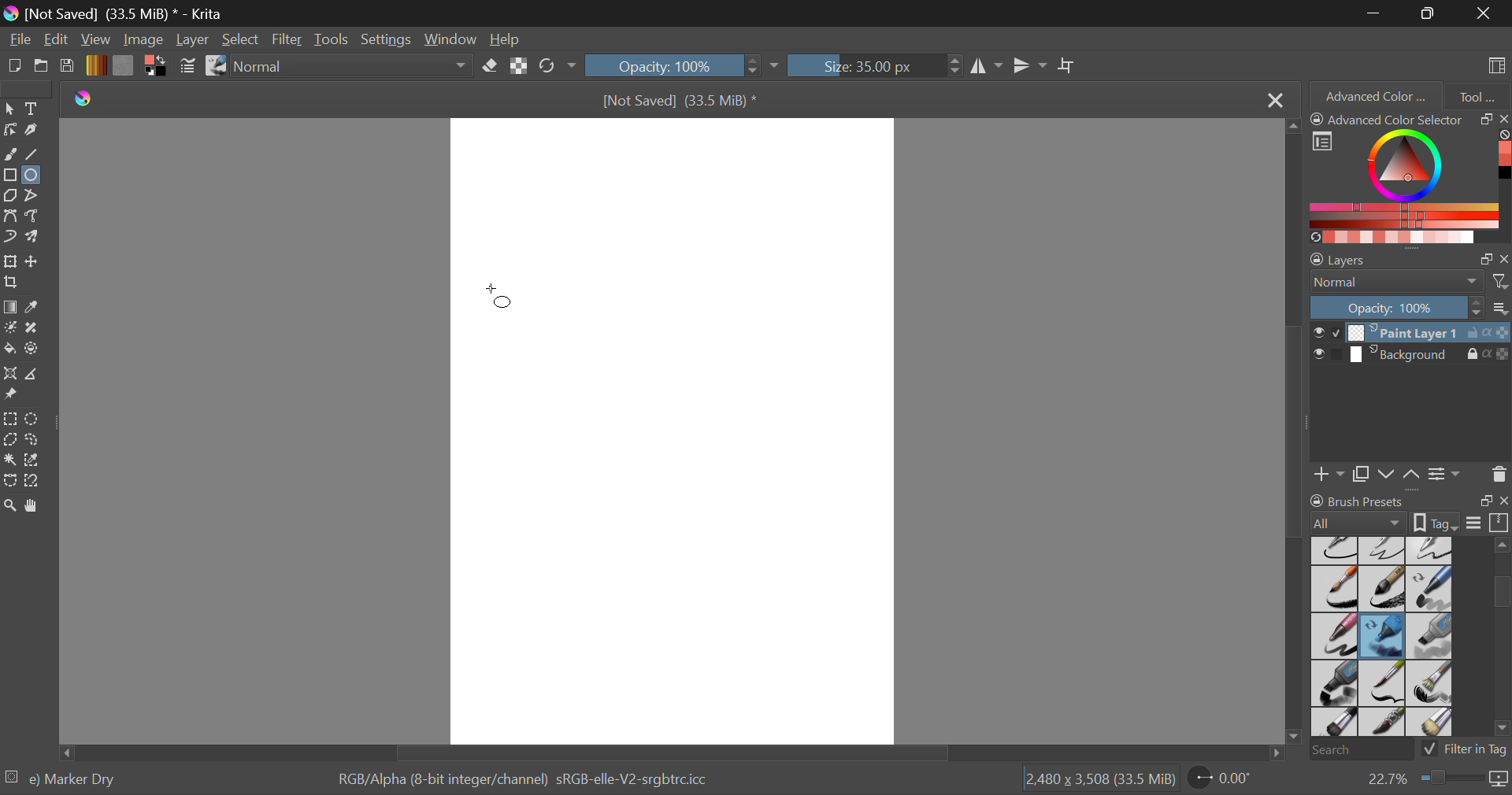 This screenshot has height=795, width=1512. What do you see at coordinates (528, 782) in the screenshot?
I see `Color Display Info` at bounding box center [528, 782].